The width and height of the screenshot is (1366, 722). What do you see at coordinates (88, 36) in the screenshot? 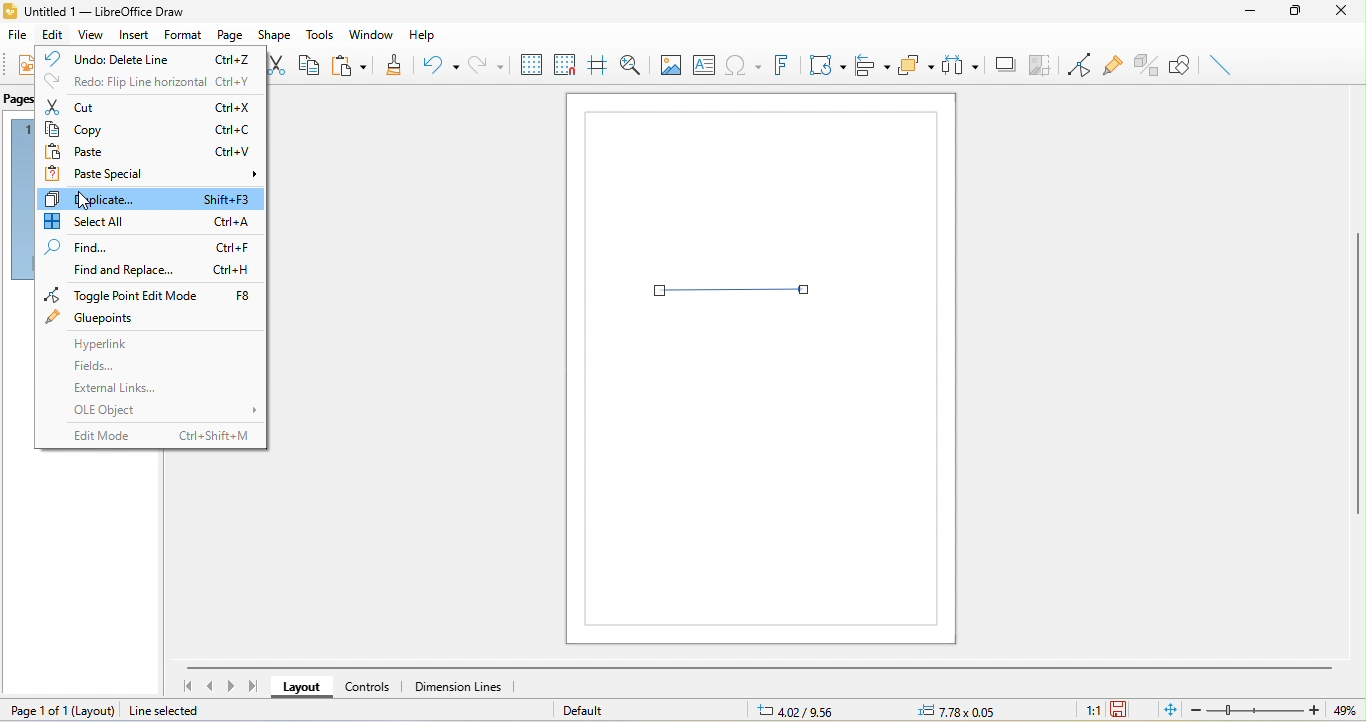
I see `view` at bounding box center [88, 36].